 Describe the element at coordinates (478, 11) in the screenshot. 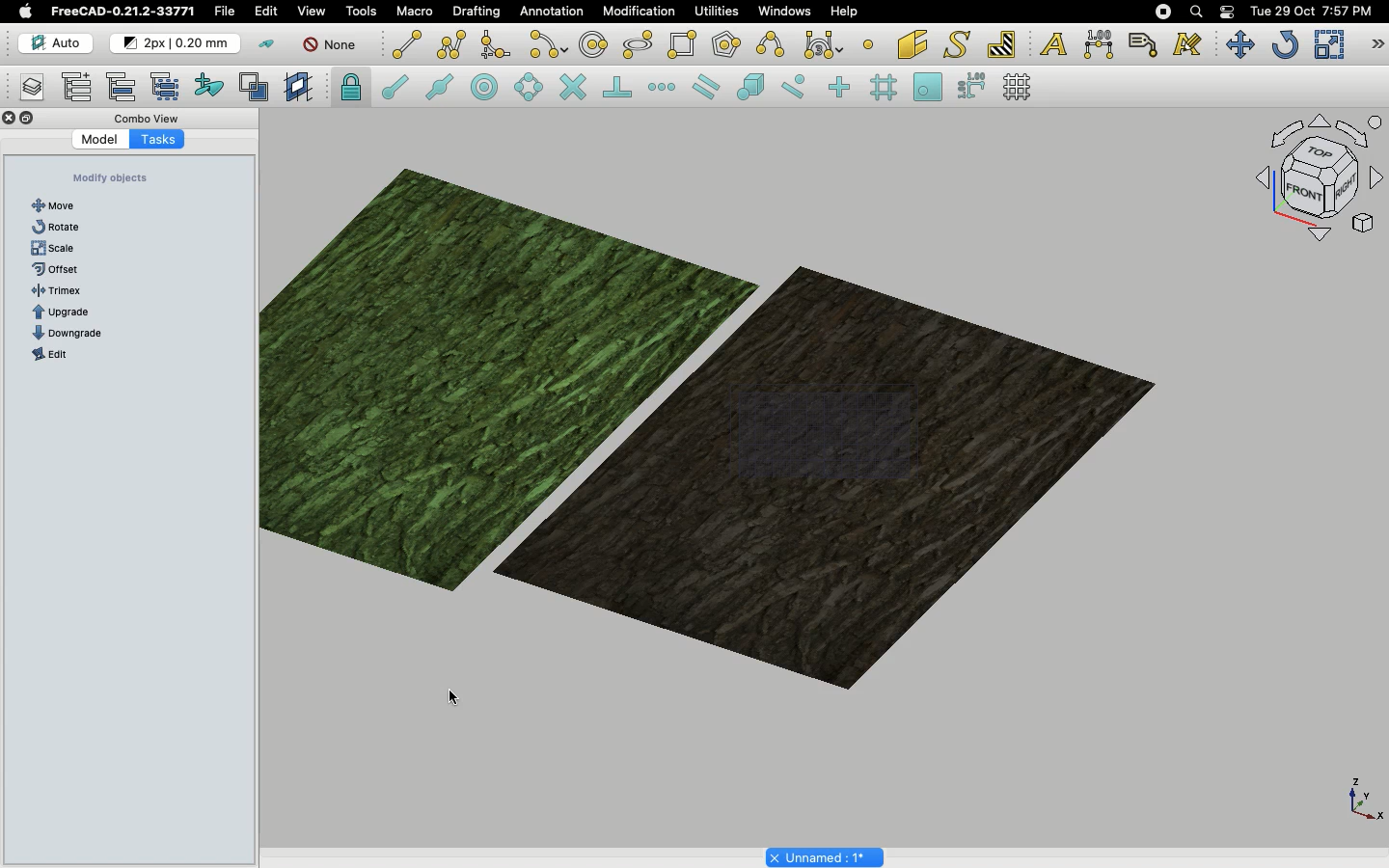

I see `Drafting` at that location.